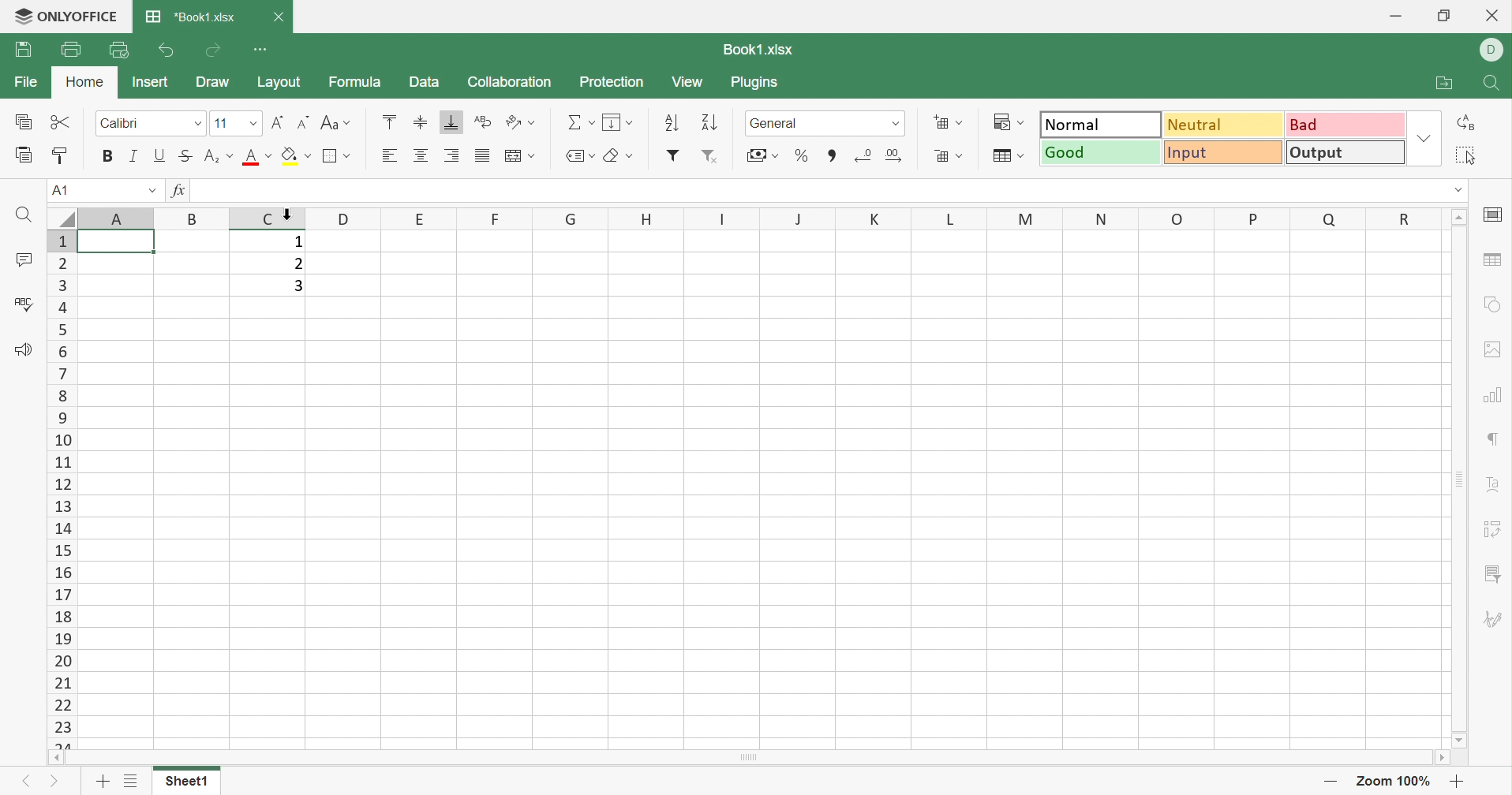 This screenshot has height=795, width=1512. Describe the element at coordinates (288, 211) in the screenshot. I see `Cursor` at that location.